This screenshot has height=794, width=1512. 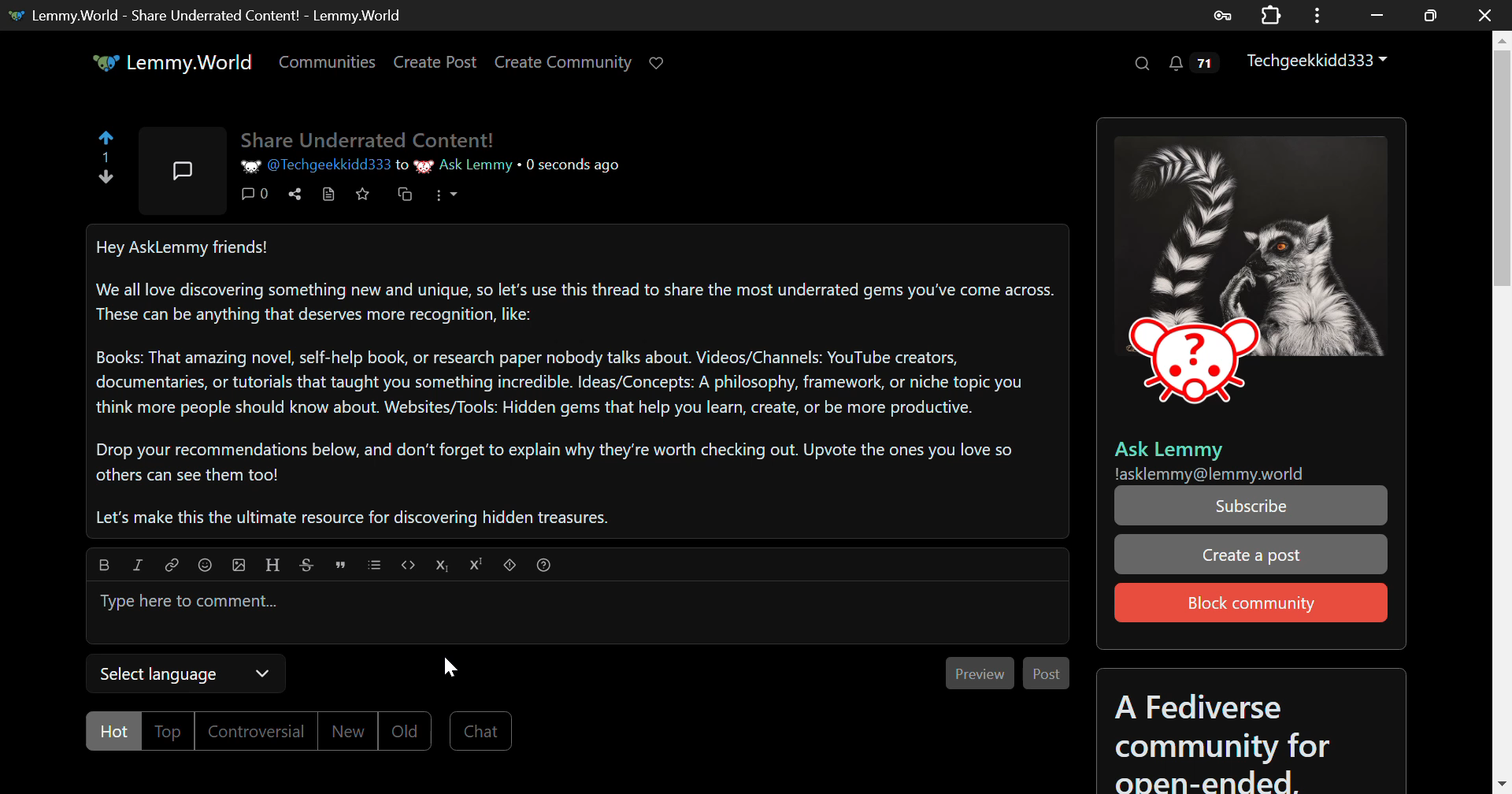 I want to click on Header, so click(x=273, y=566).